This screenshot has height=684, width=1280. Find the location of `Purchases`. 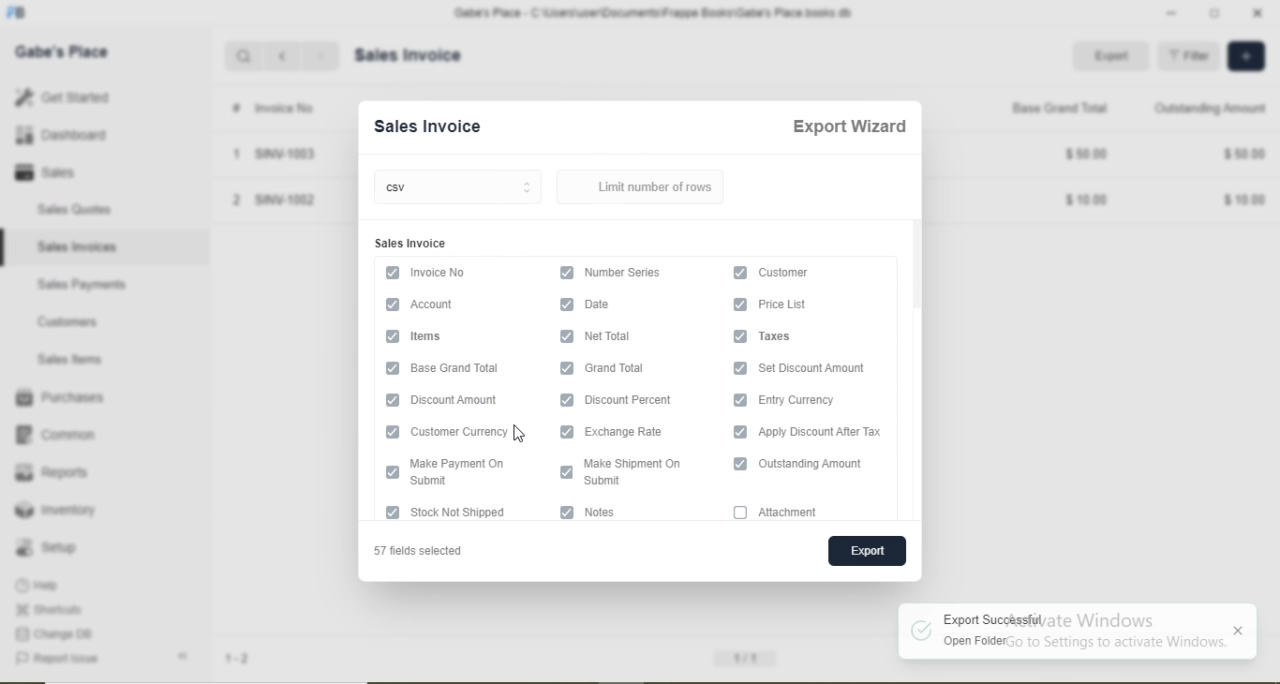

Purchases is located at coordinates (61, 396).